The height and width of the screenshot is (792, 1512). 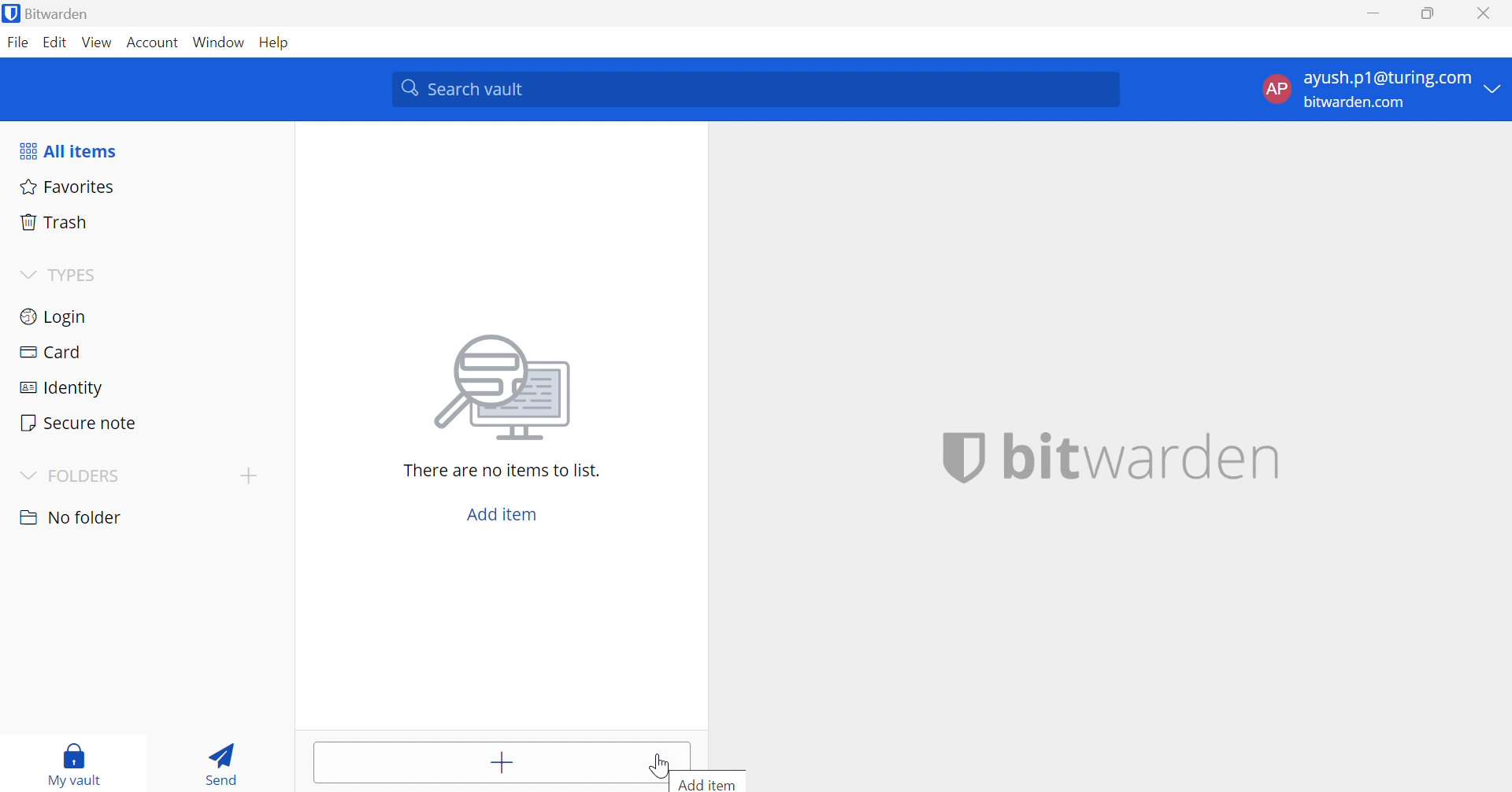 What do you see at coordinates (1374, 12) in the screenshot?
I see `Minimize` at bounding box center [1374, 12].